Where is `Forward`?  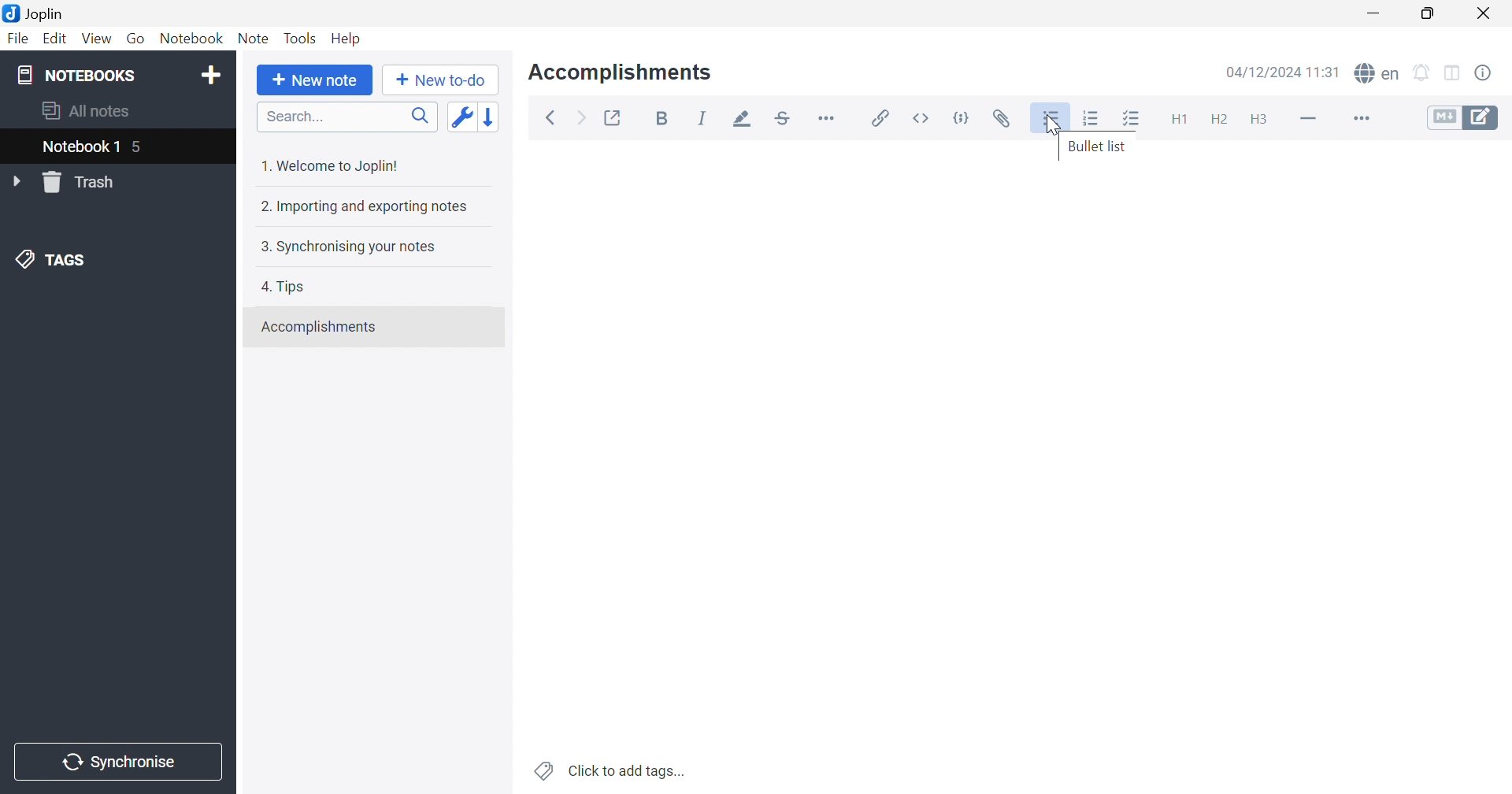
Forward is located at coordinates (580, 117).